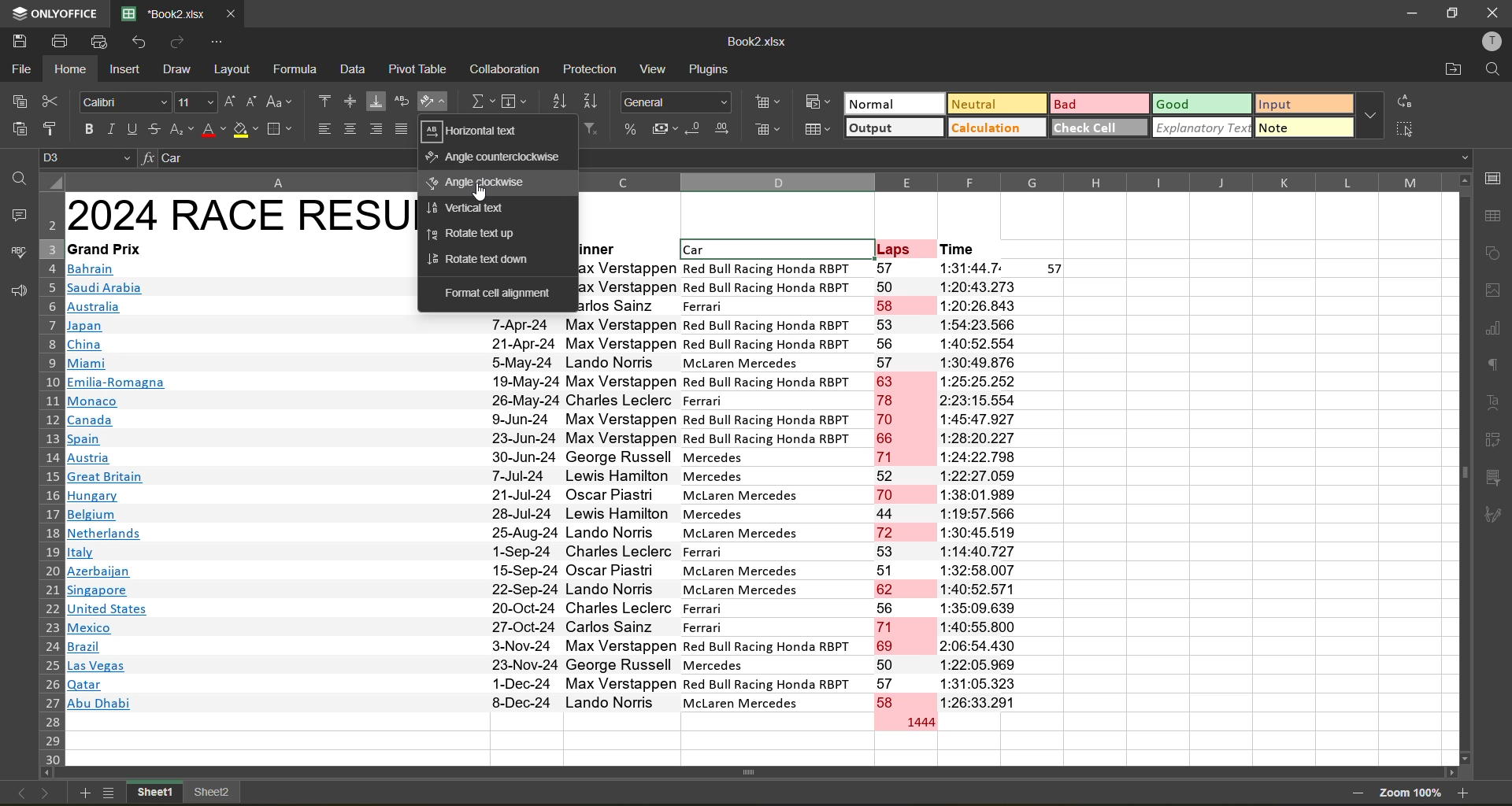 Image resolution: width=1512 pixels, height=806 pixels. What do you see at coordinates (1411, 14) in the screenshot?
I see `minimize` at bounding box center [1411, 14].